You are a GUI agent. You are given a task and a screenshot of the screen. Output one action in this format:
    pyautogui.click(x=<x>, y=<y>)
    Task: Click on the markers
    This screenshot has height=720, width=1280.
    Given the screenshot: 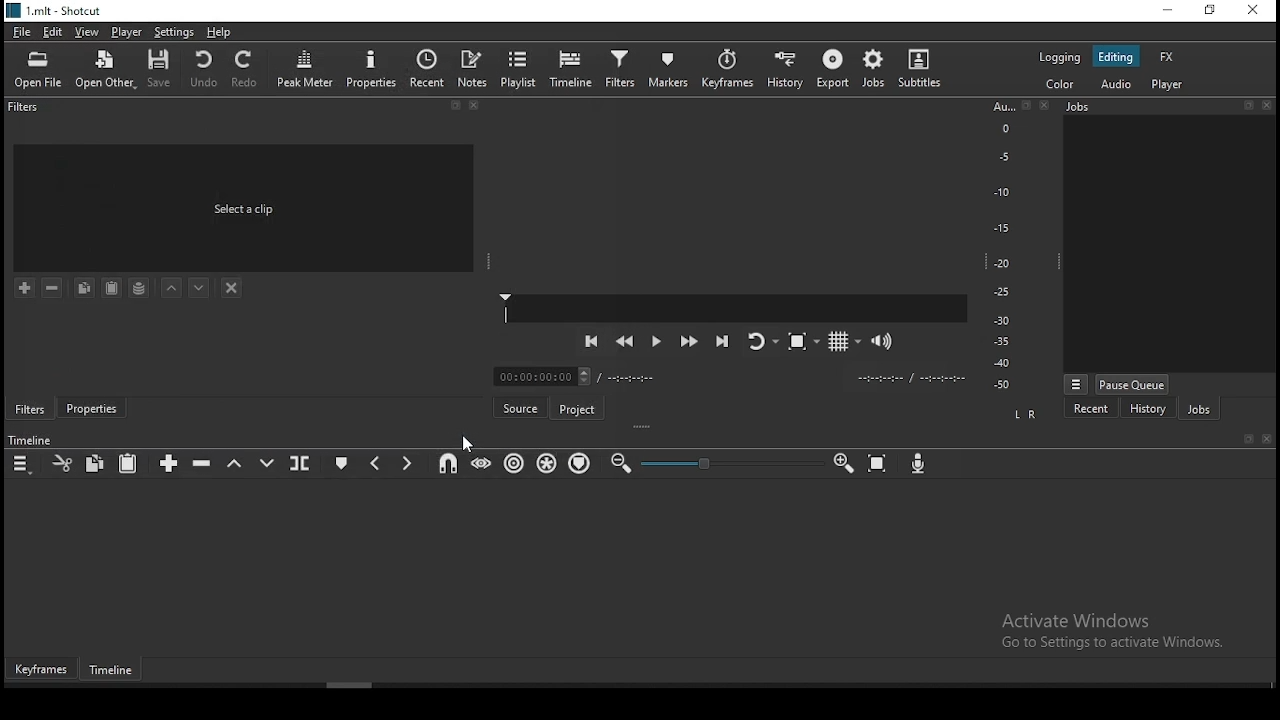 What is the action you would take?
    pyautogui.click(x=671, y=69)
    